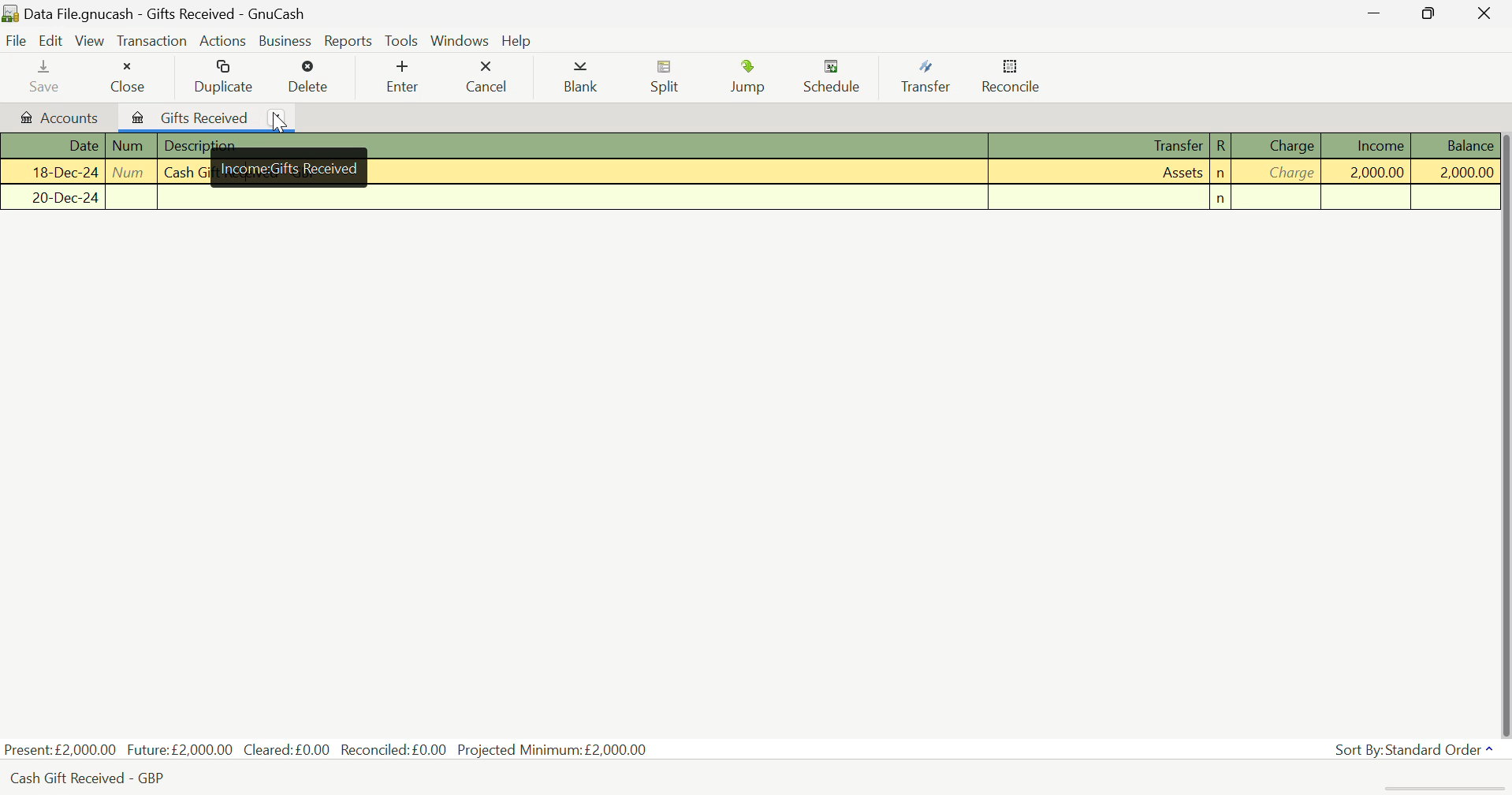 Image resolution: width=1512 pixels, height=795 pixels. Describe the element at coordinates (486, 74) in the screenshot. I see `Cancel` at that location.